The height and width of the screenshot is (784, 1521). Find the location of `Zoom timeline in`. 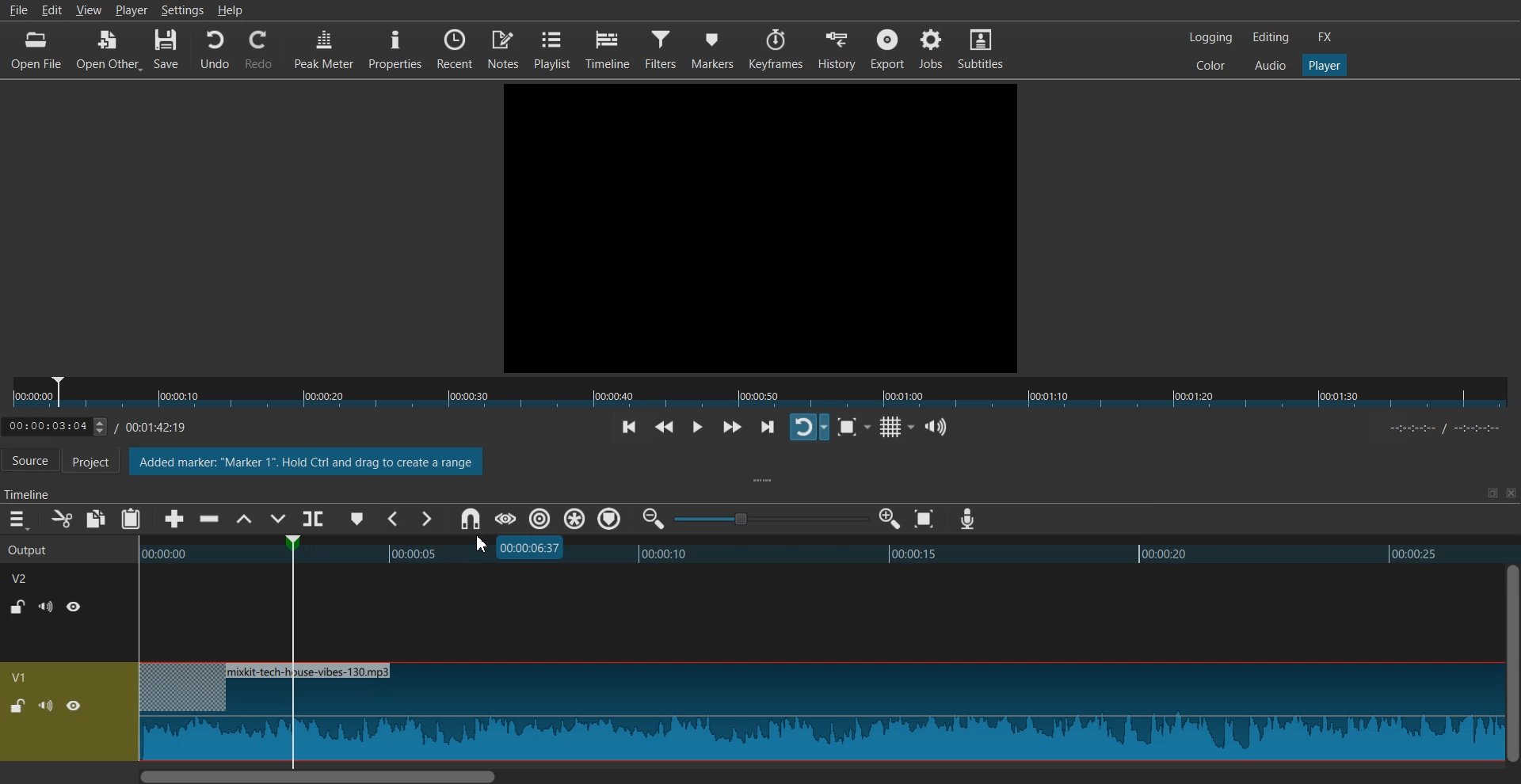

Zoom timeline in is located at coordinates (889, 519).